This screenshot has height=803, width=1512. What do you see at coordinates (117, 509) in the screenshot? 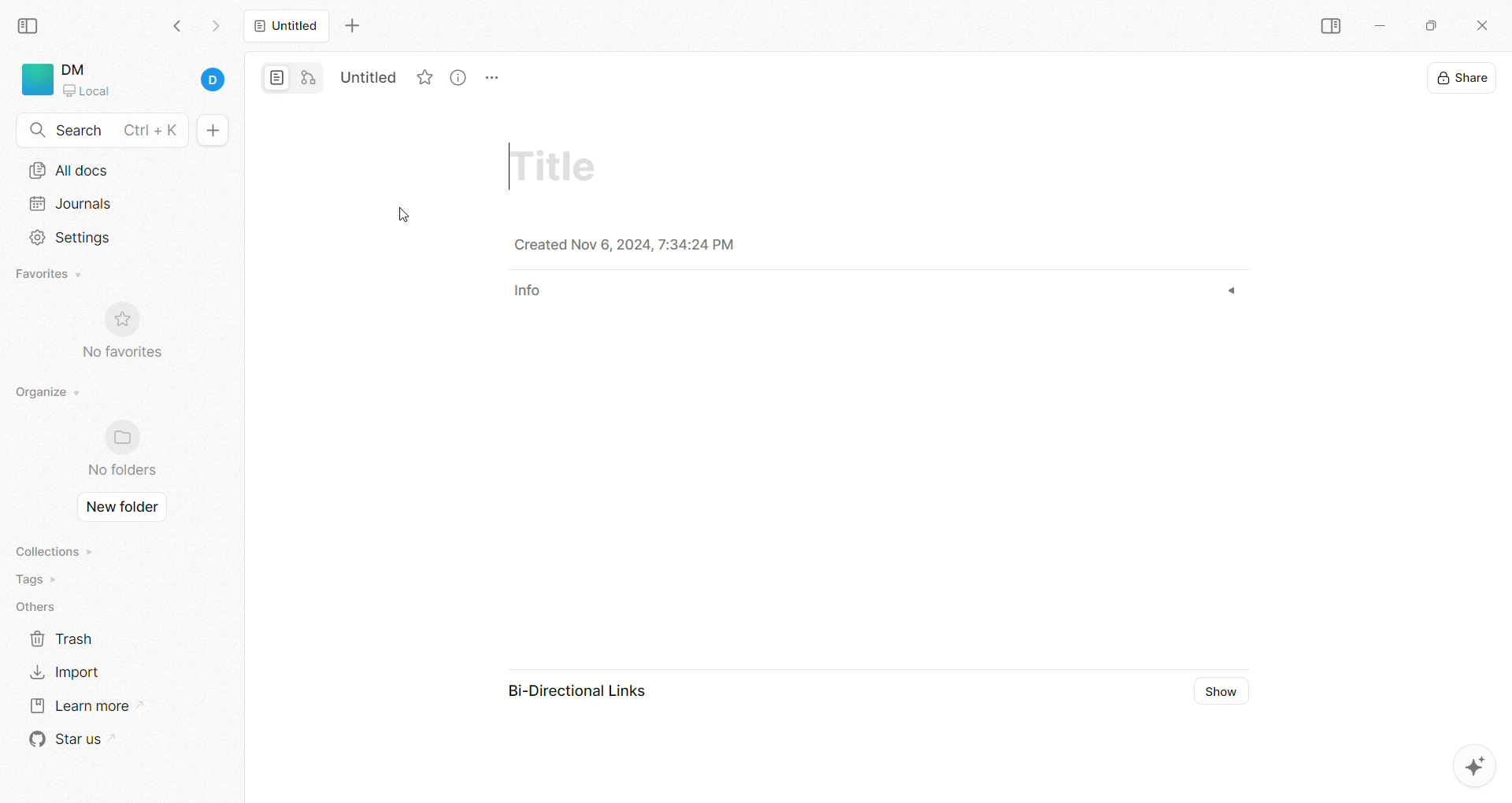
I see `new folder` at bounding box center [117, 509].